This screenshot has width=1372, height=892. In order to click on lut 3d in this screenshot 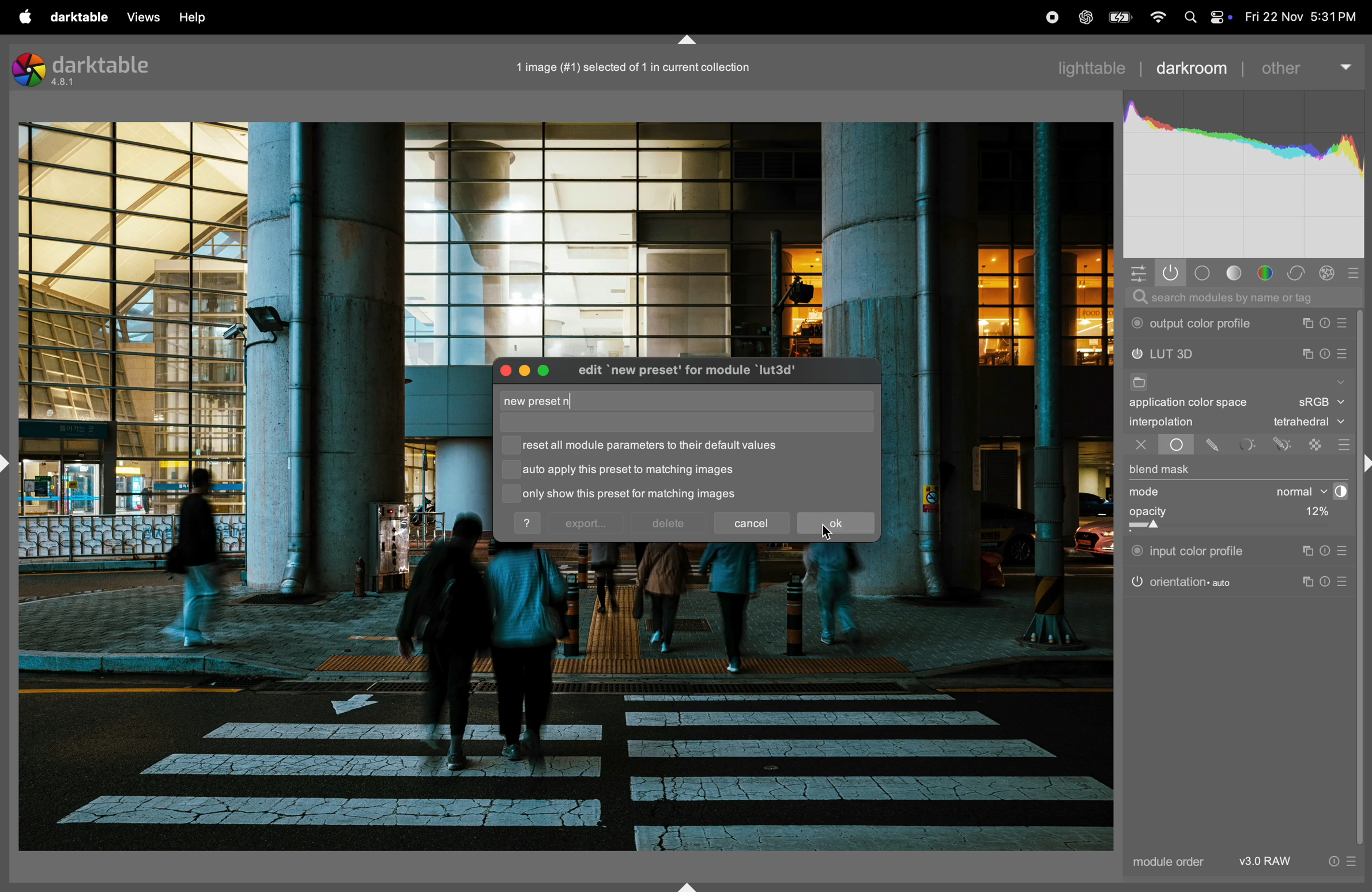, I will do `click(1187, 355)`.